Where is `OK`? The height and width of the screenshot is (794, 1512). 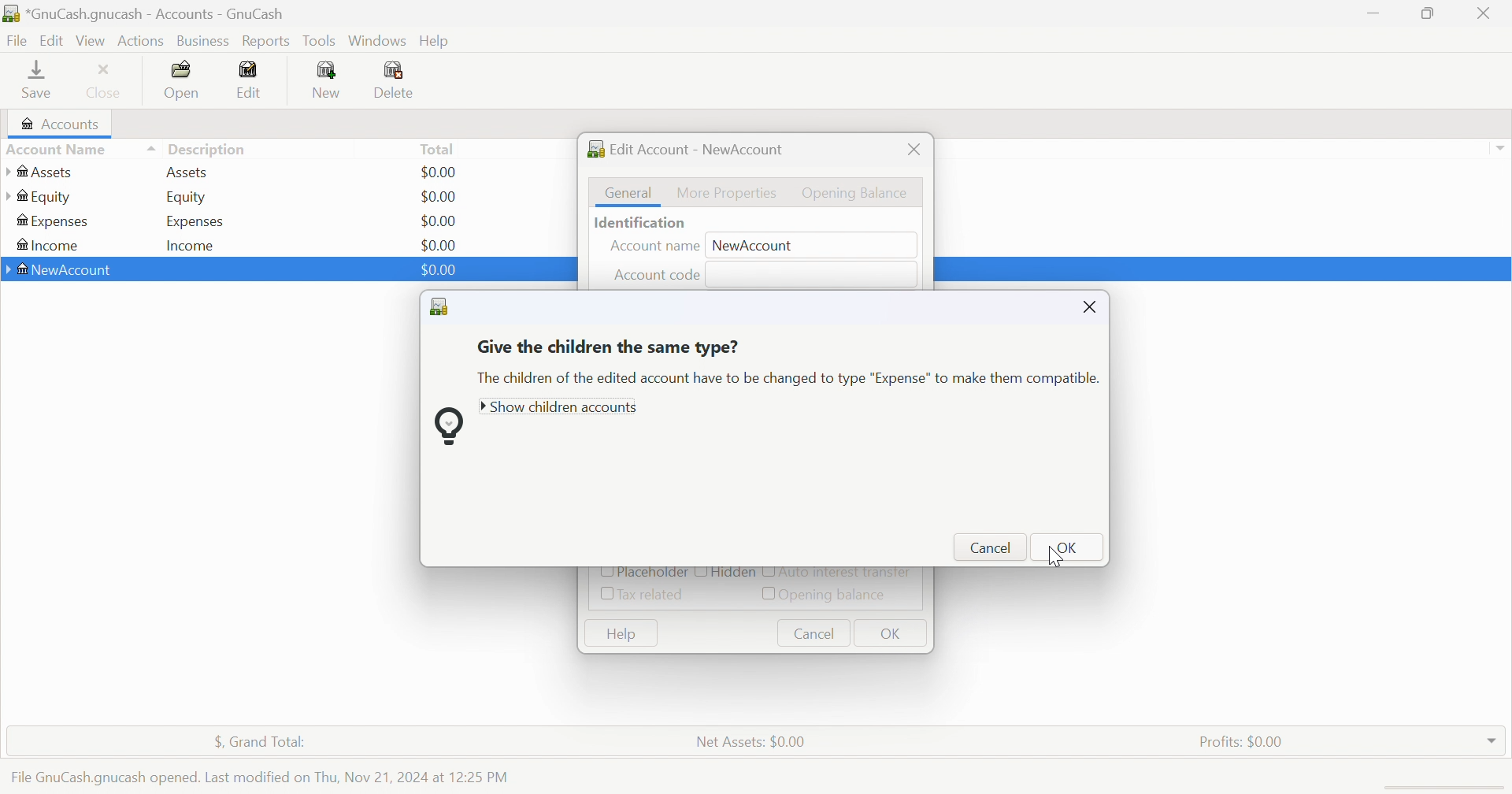 OK is located at coordinates (1073, 548).